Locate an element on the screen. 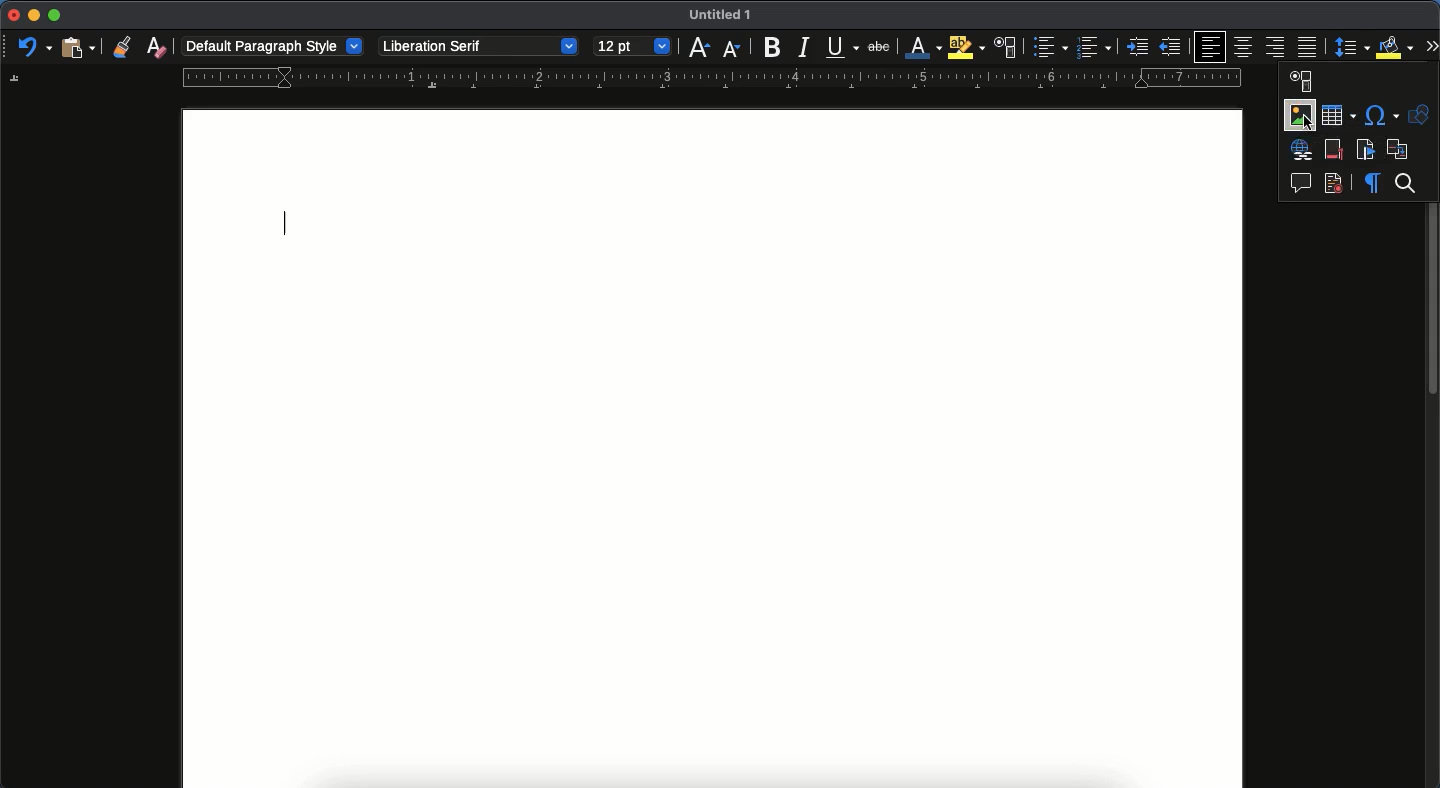  clear formatting is located at coordinates (157, 47).